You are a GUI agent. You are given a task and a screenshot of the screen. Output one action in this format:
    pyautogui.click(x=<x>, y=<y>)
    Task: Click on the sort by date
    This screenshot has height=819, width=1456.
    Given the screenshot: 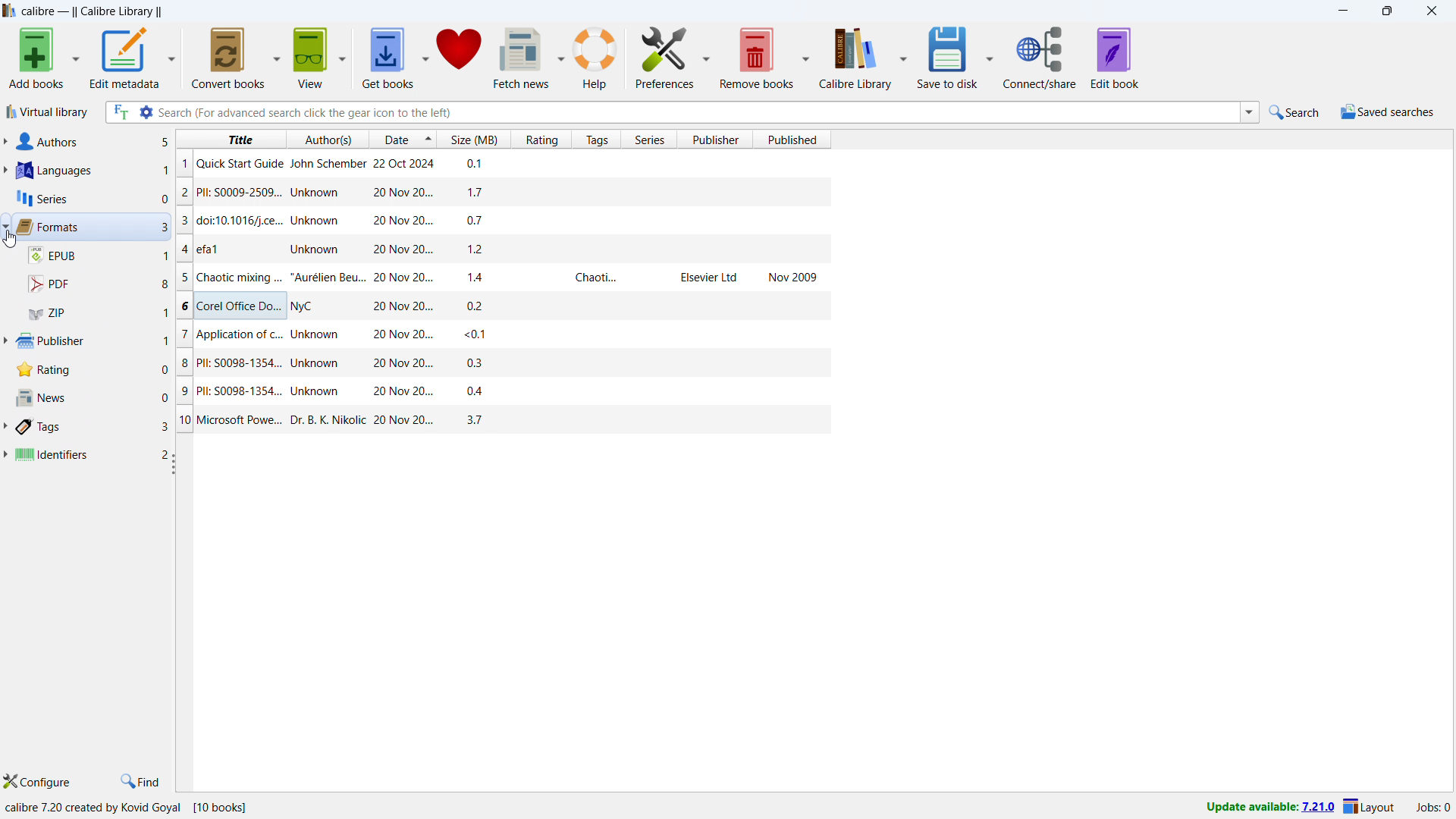 What is the action you would take?
    pyautogui.click(x=393, y=138)
    